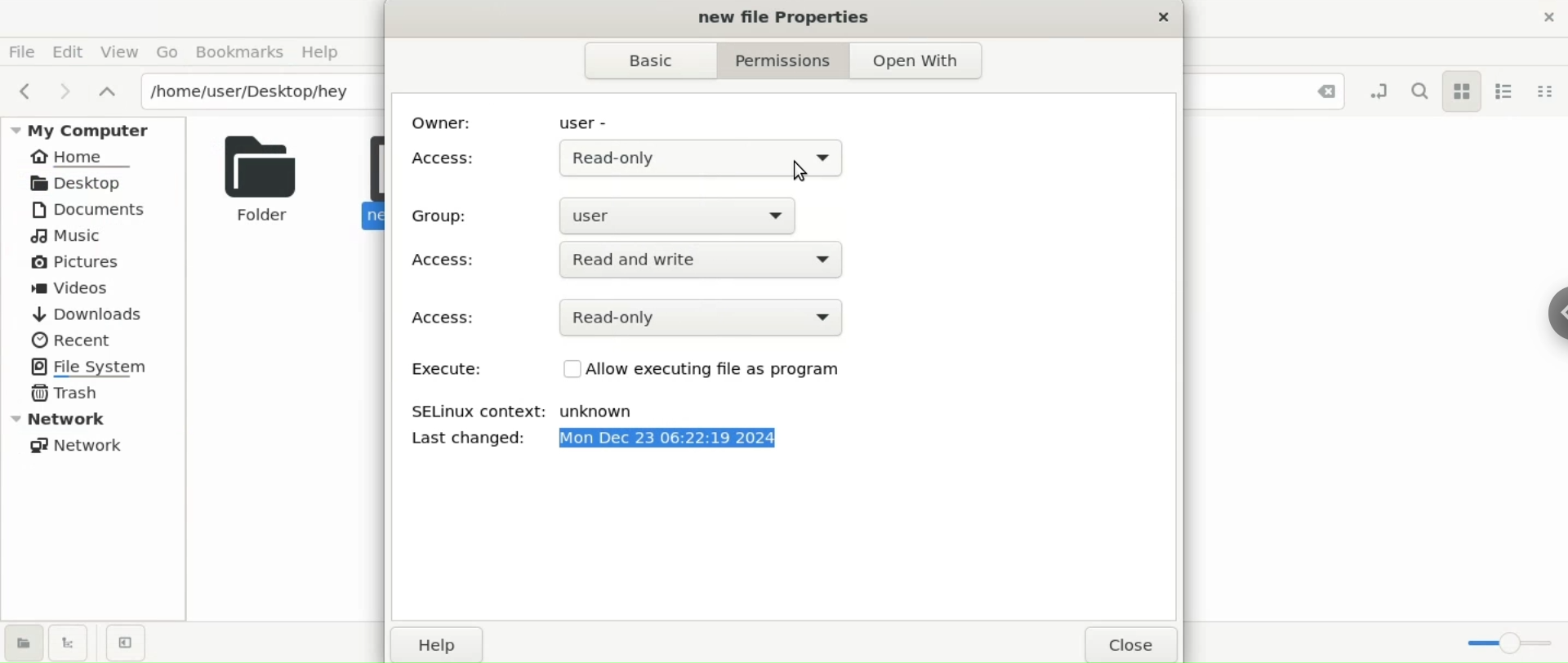 This screenshot has width=1568, height=663. What do you see at coordinates (800, 173) in the screenshot?
I see `cursor` at bounding box center [800, 173].